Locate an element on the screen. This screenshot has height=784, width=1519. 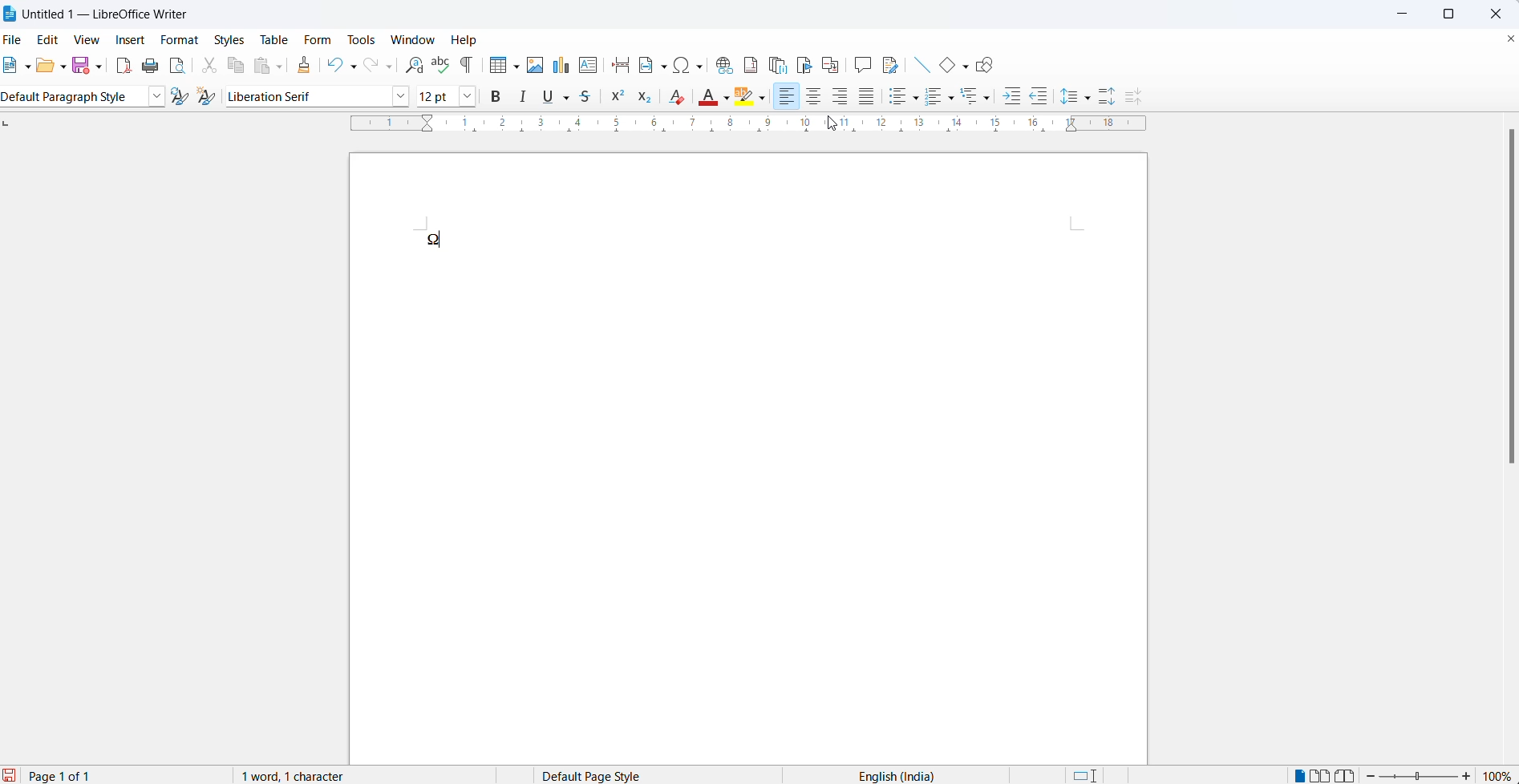
save options is located at coordinates (99, 65).